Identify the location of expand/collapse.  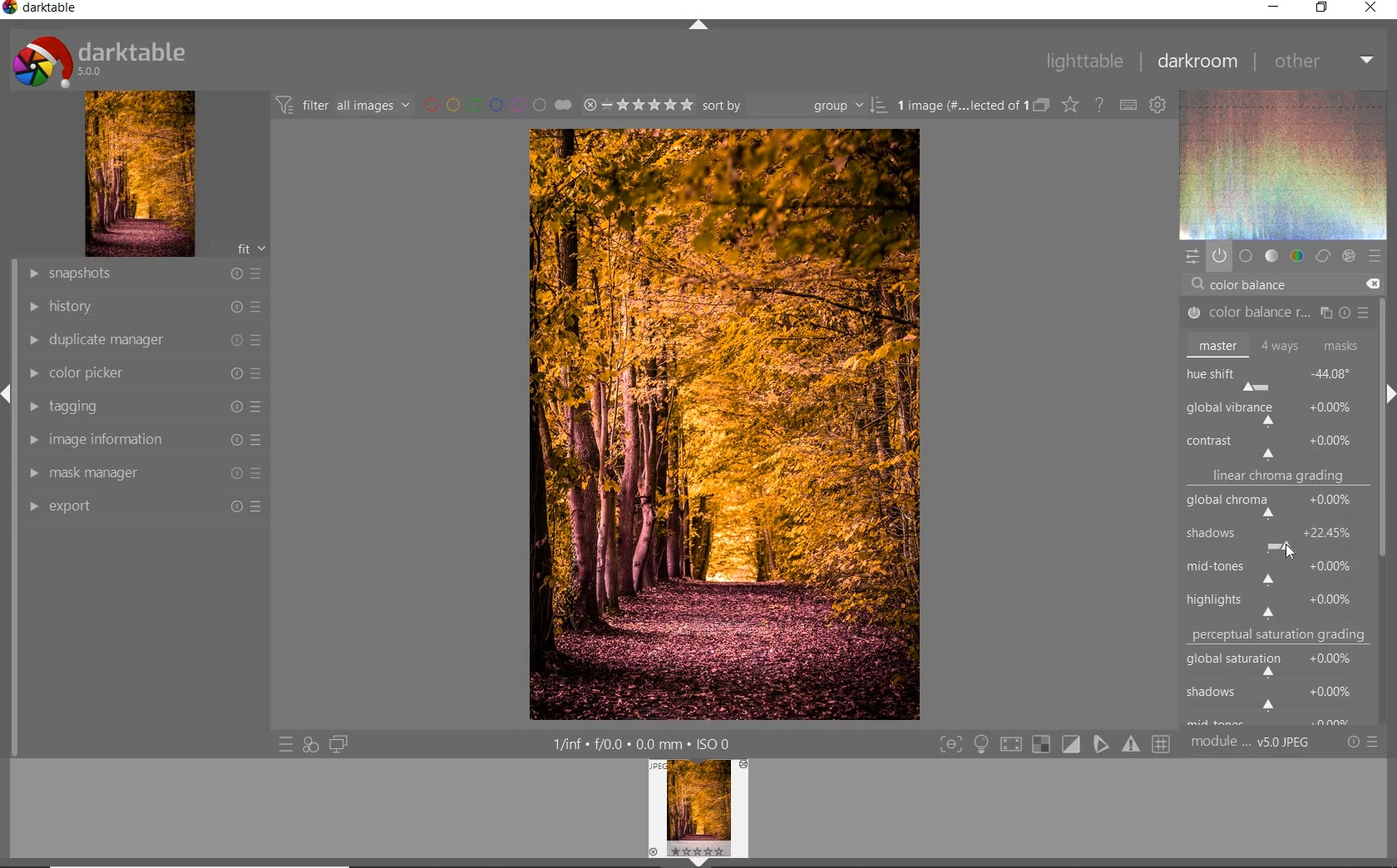
(696, 25).